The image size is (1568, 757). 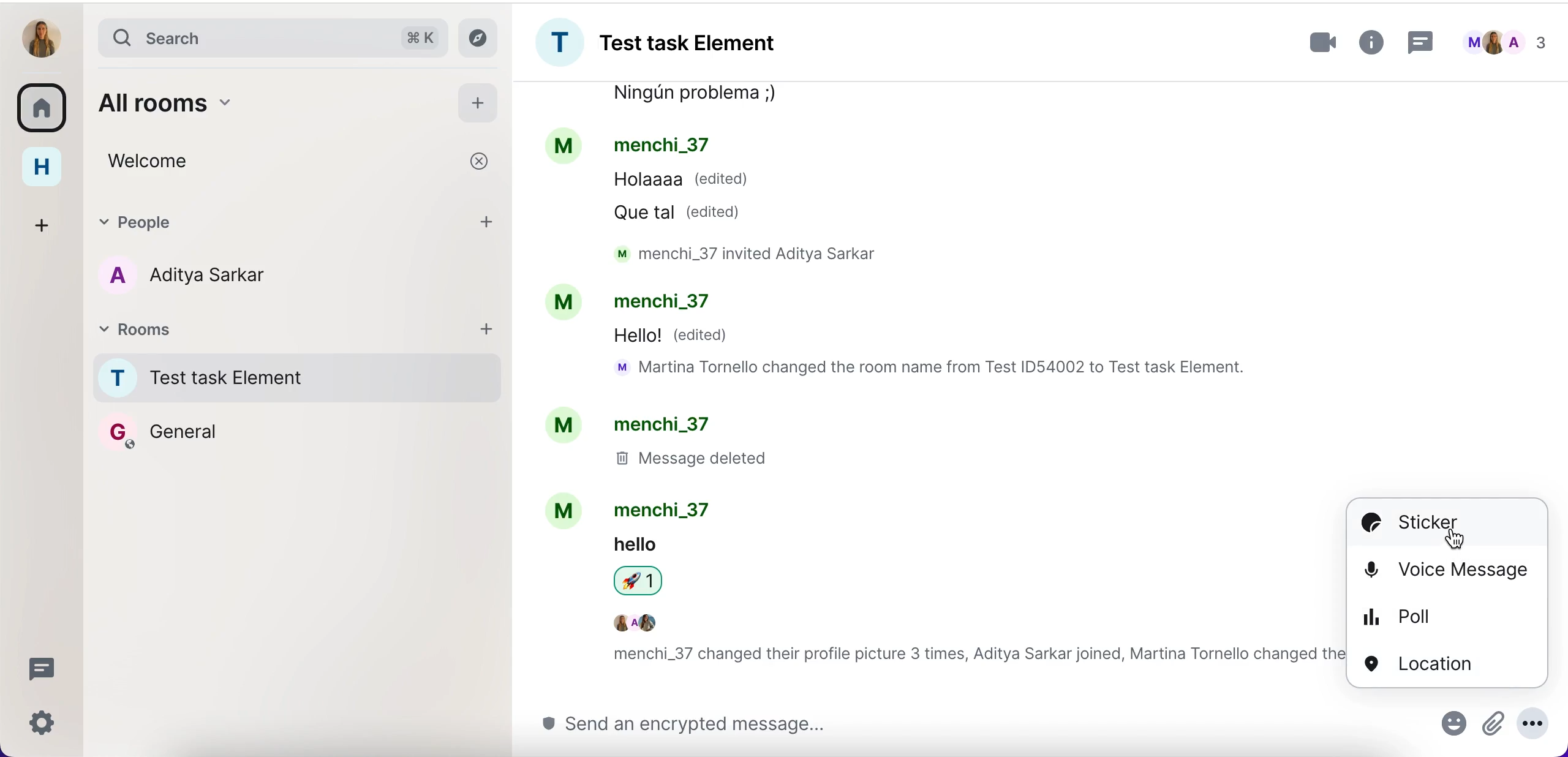 I want to click on more options, so click(x=1532, y=723).